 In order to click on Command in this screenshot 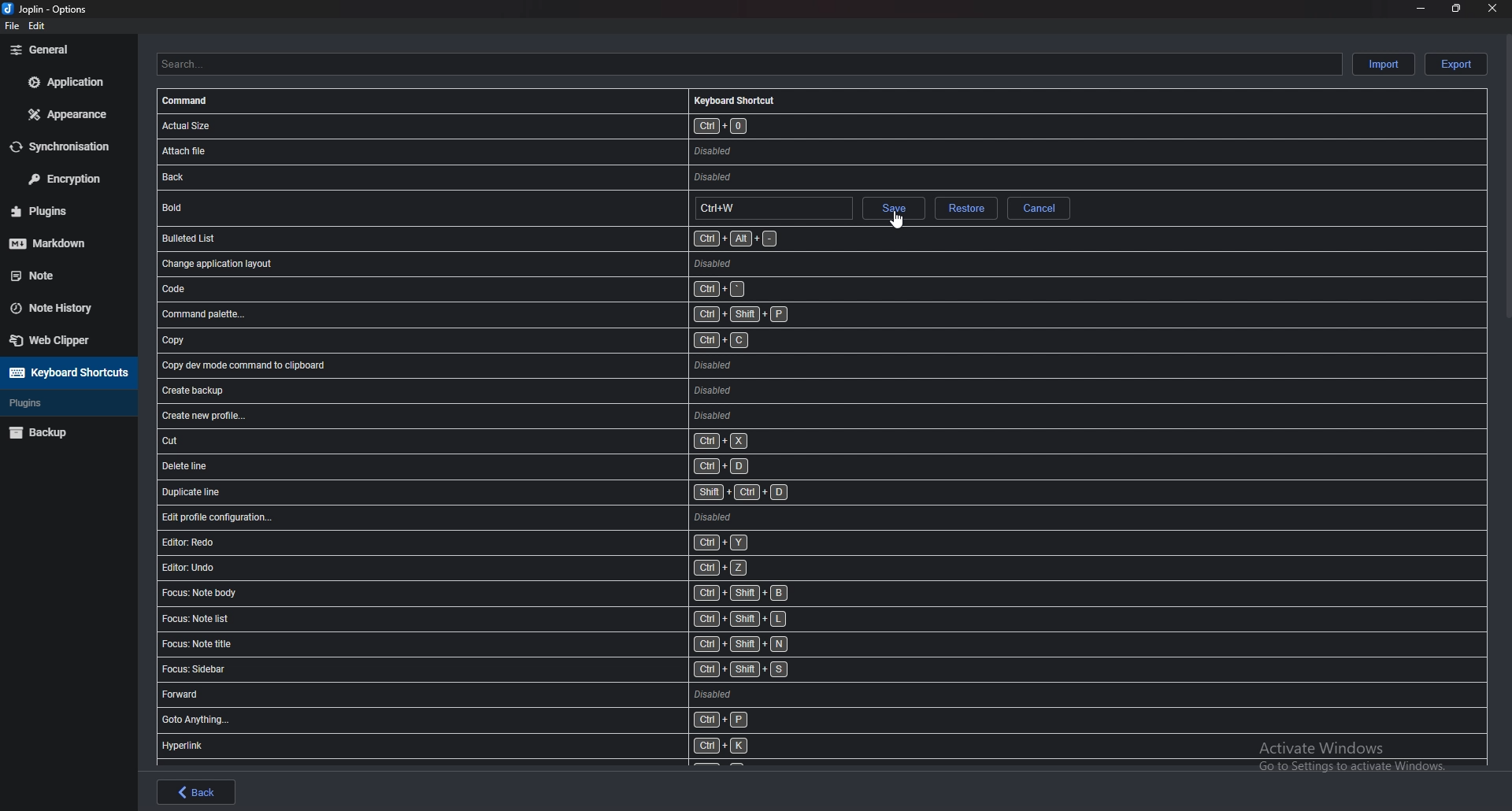, I will do `click(192, 100)`.